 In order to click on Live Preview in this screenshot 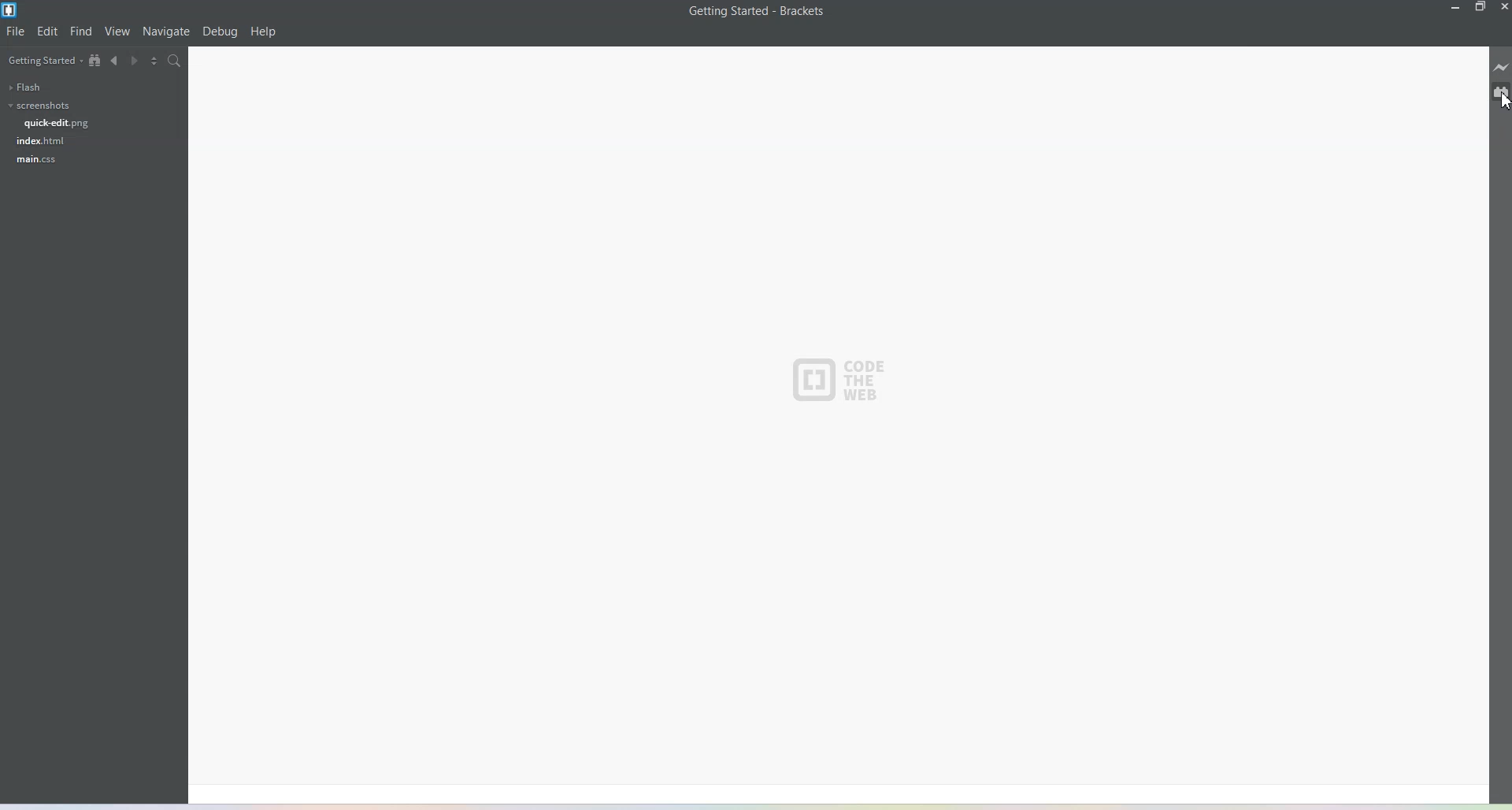, I will do `click(1501, 69)`.